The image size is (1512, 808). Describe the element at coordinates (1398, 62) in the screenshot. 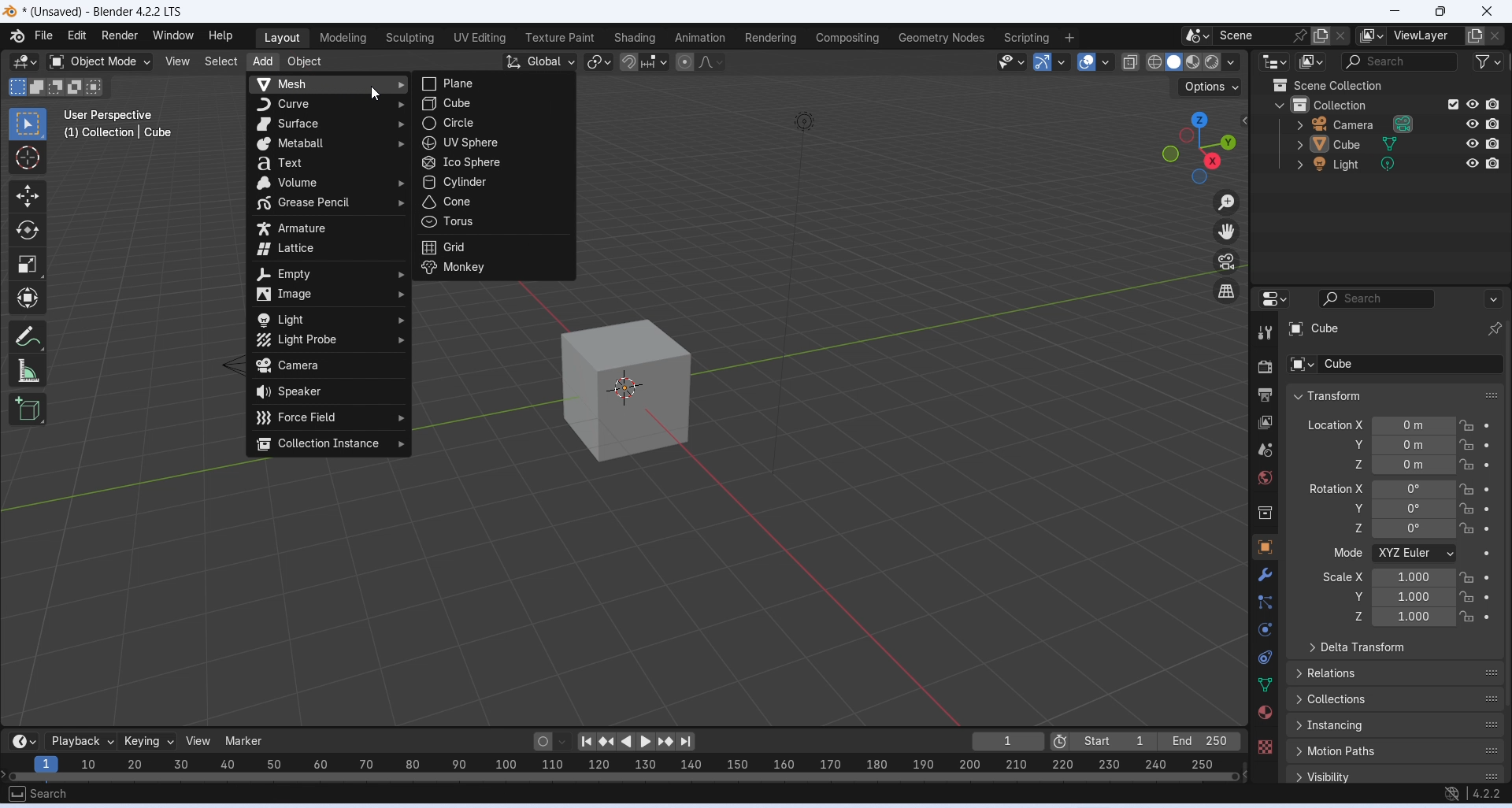

I see `display filter` at that location.